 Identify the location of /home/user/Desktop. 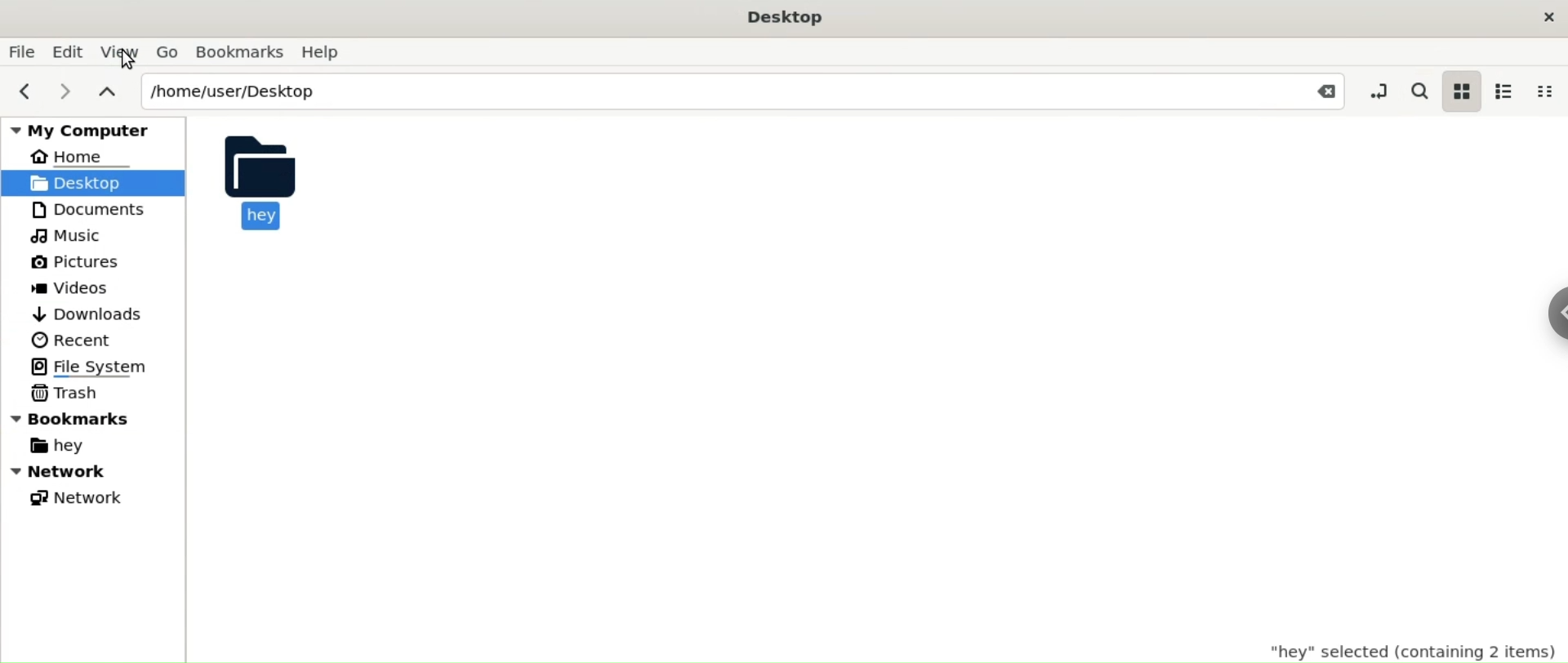
(702, 91).